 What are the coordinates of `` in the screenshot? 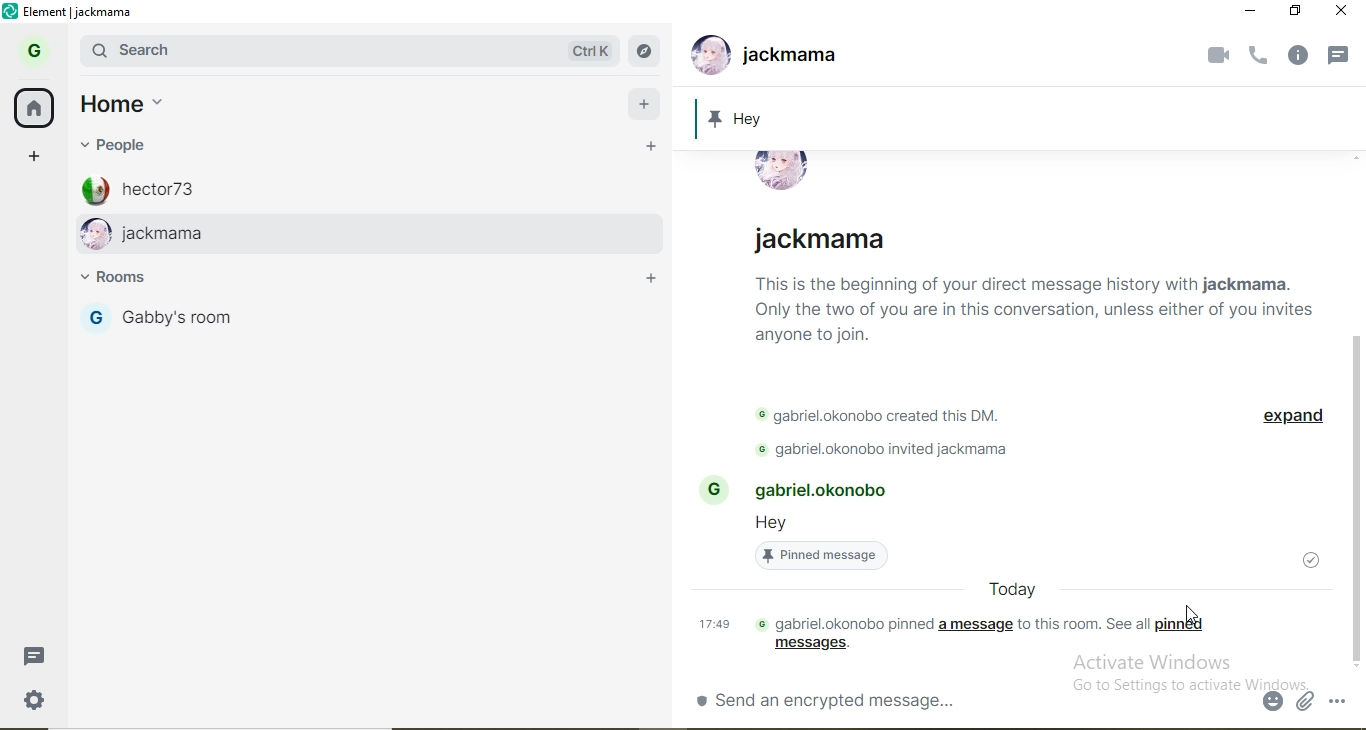 It's located at (825, 491).